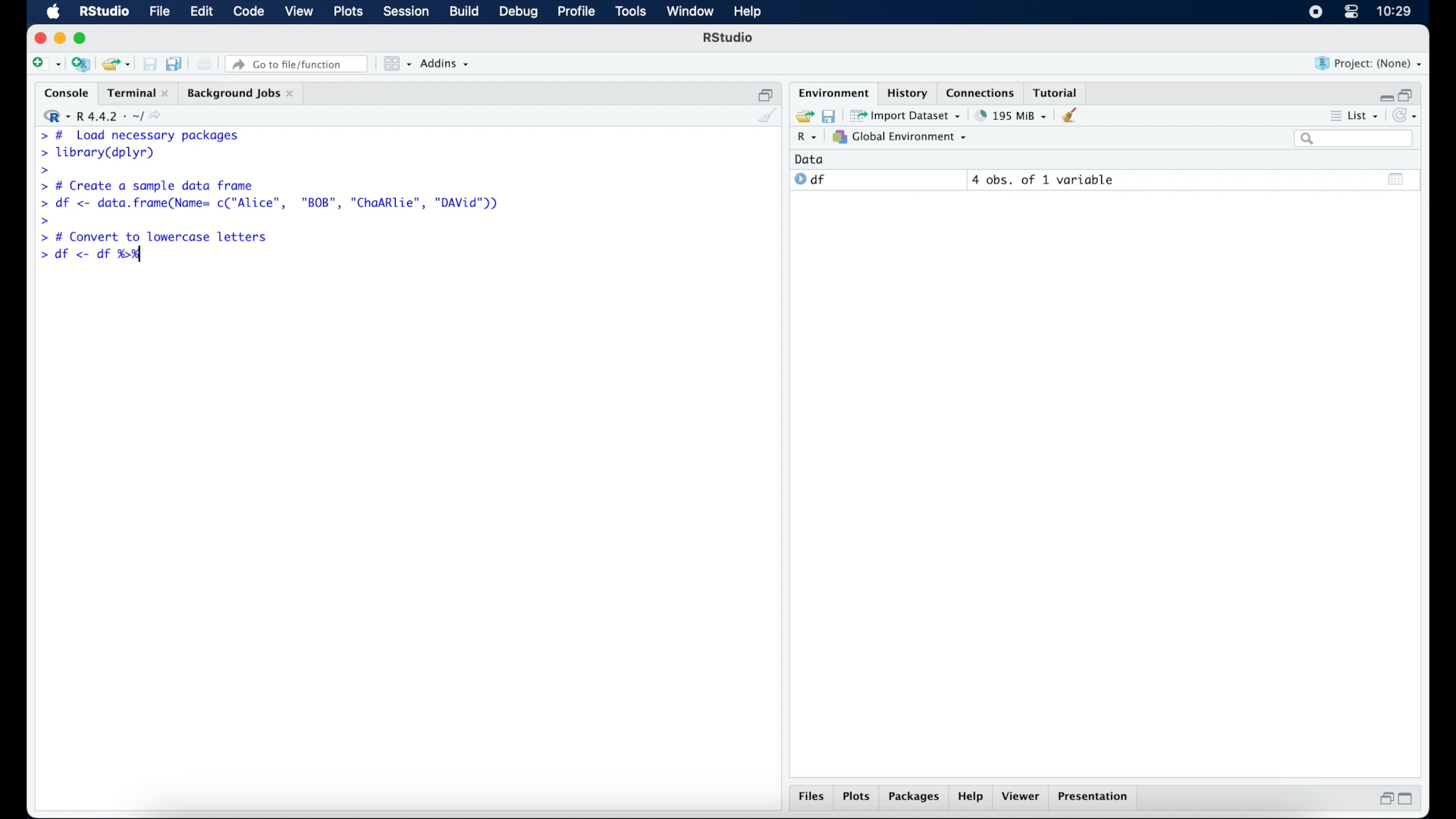 This screenshot has width=1456, height=819. What do you see at coordinates (81, 65) in the screenshot?
I see `create new project` at bounding box center [81, 65].